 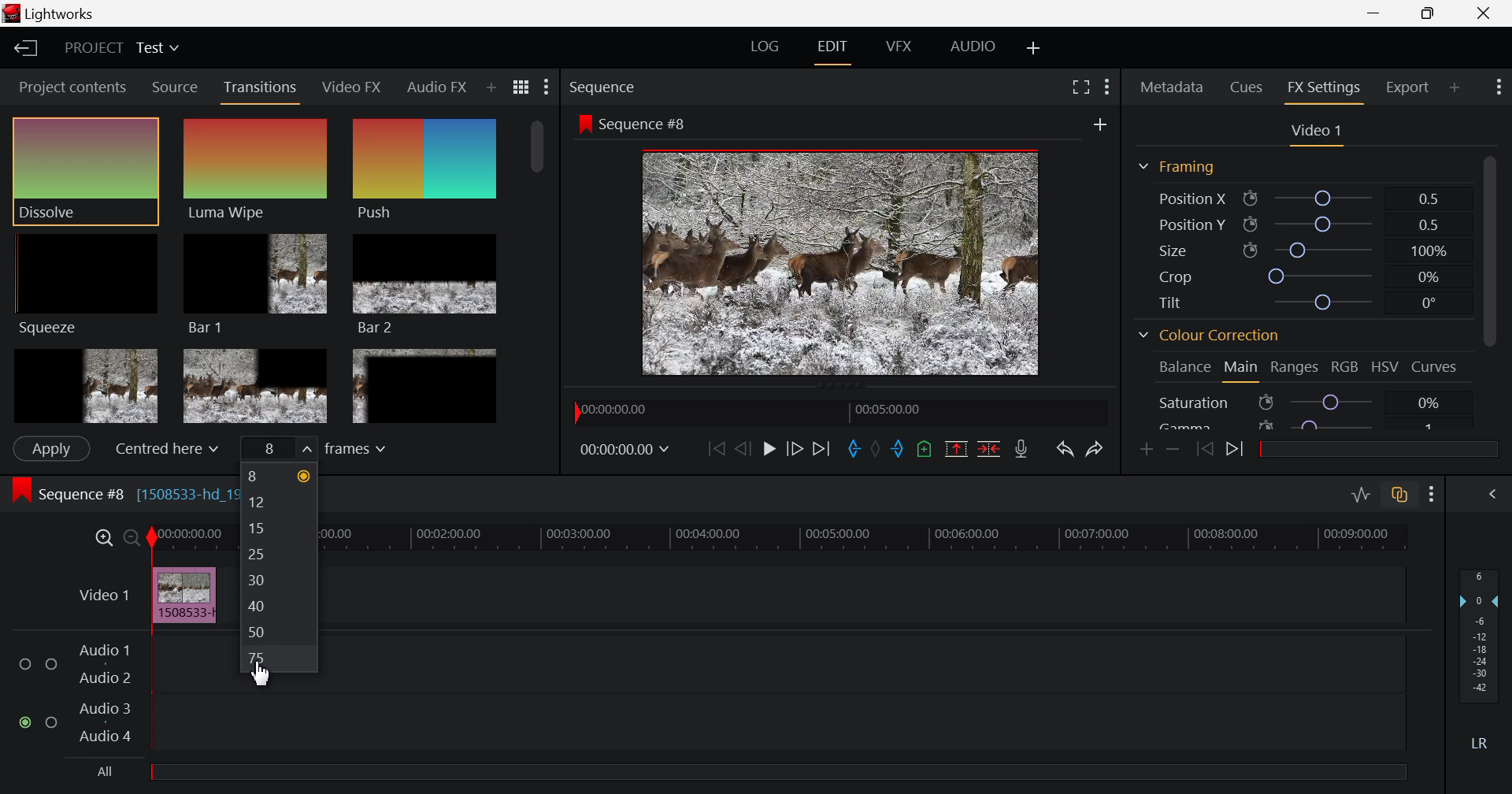 What do you see at coordinates (1298, 368) in the screenshot?
I see `Ranges` at bounding box center [1298, 368].